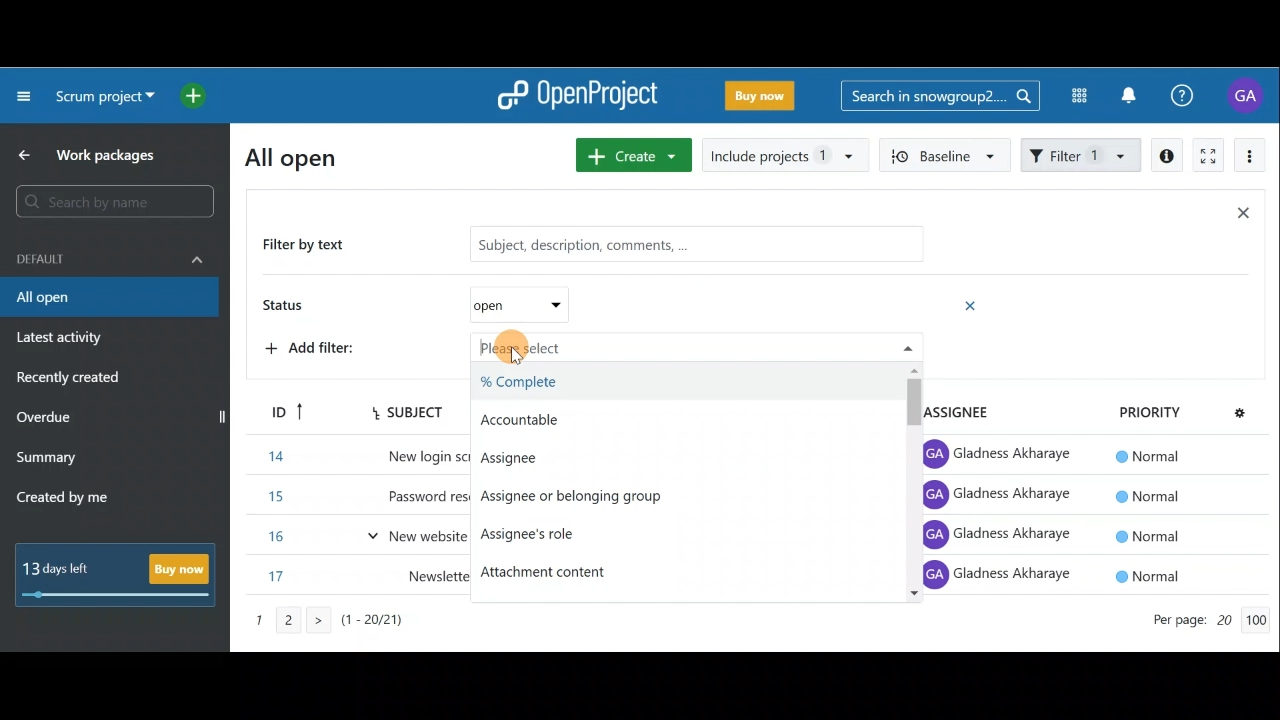 The height and width of the screenshot is (720, 1280). Describe the element at coordinates (593, 246) in the screenshot. I see `Filter by text` at that location.